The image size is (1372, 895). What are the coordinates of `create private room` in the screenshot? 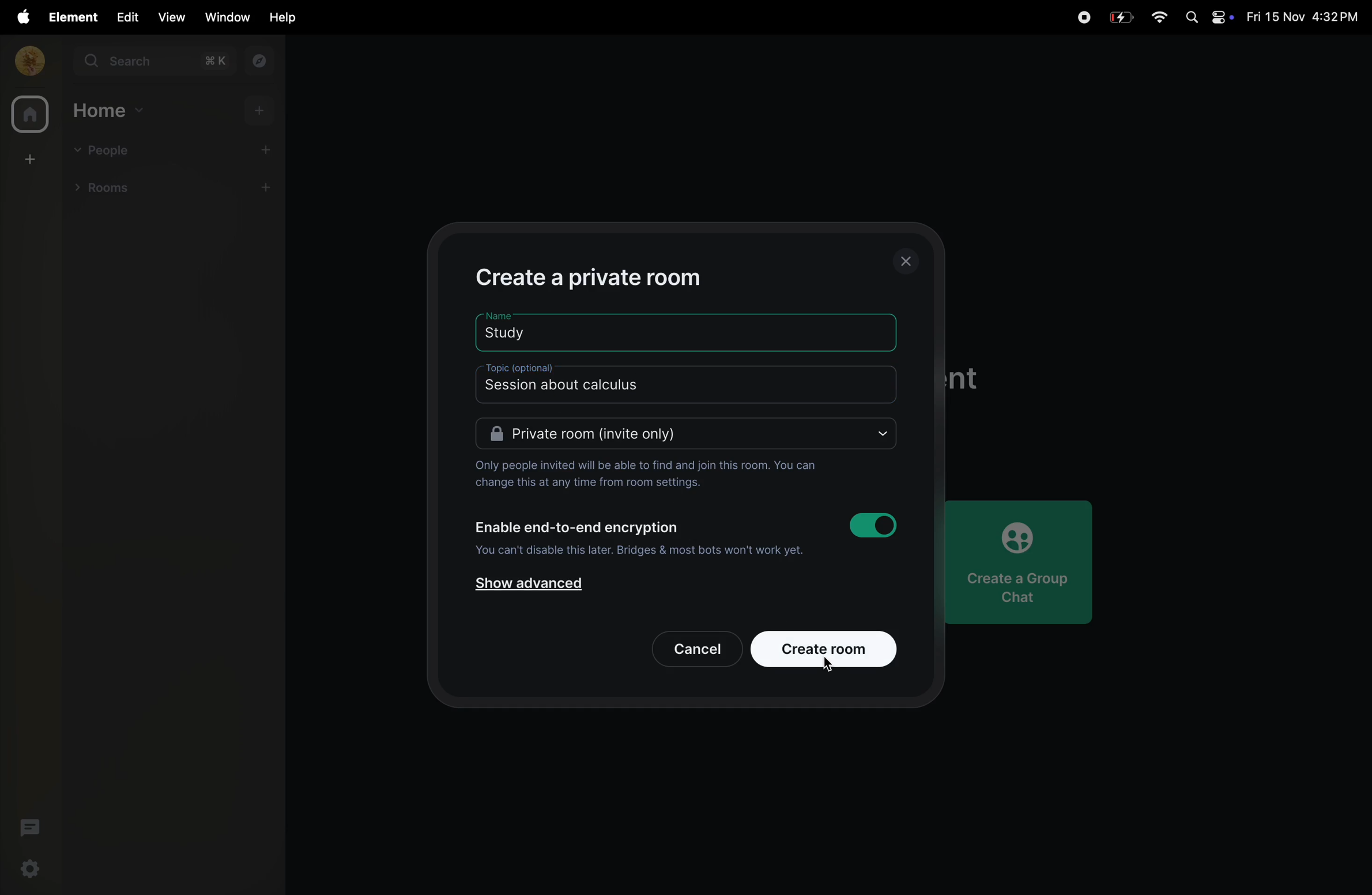 It's located at (609, 276).